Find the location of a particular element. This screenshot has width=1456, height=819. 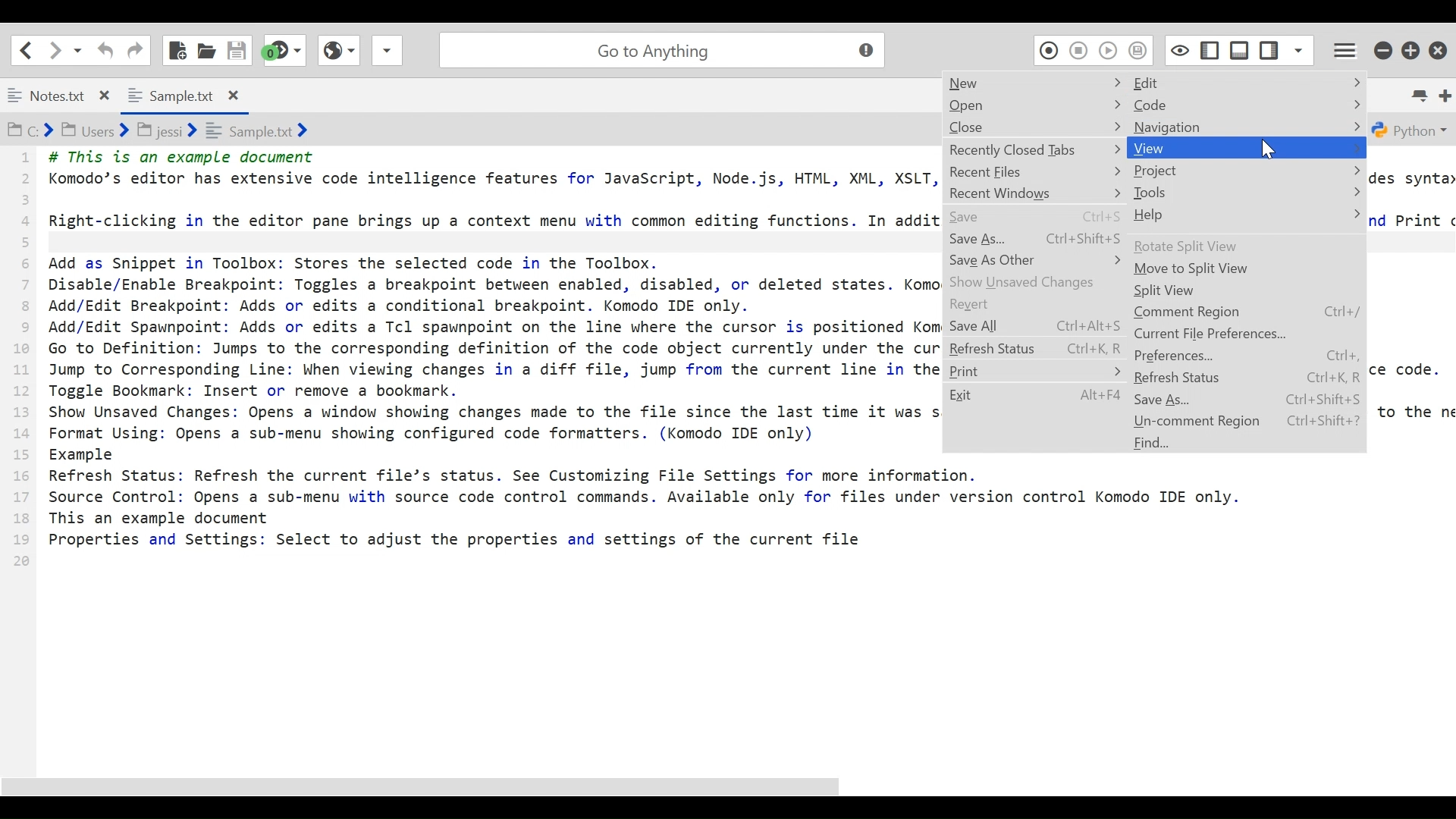

Restore is located at coordinates (1412, 51).